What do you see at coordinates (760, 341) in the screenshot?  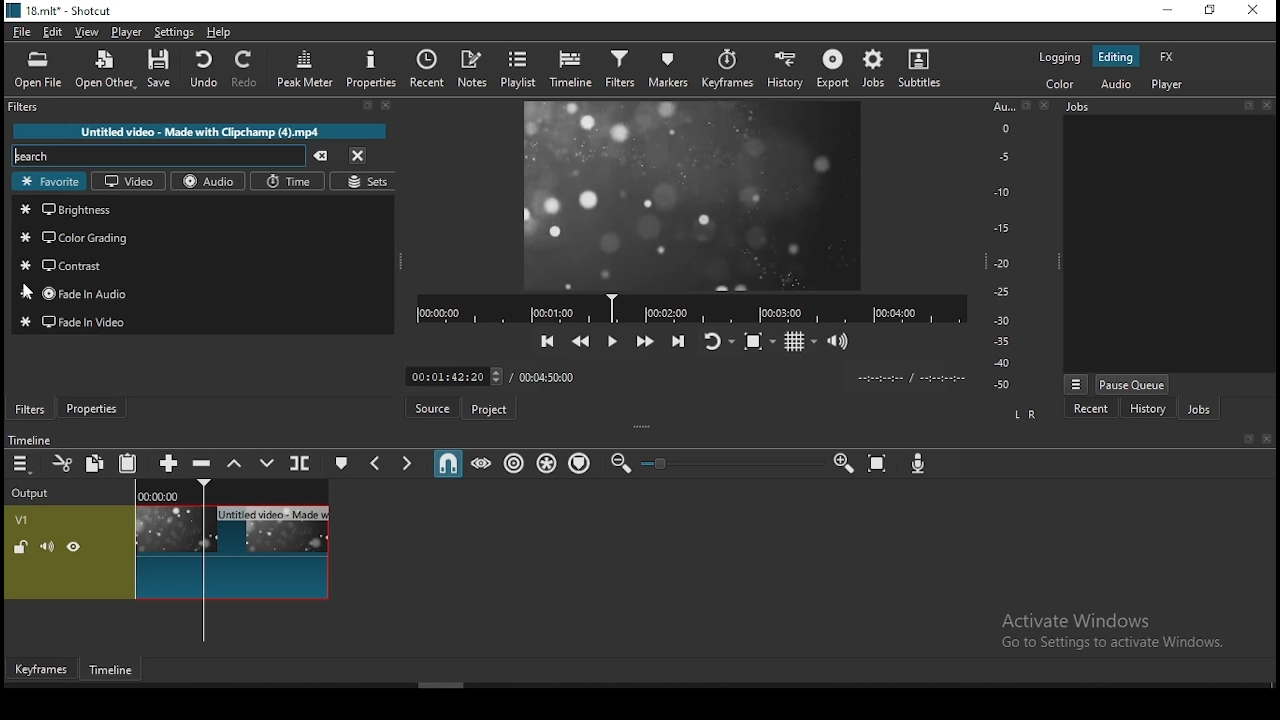 I see `toggle zoom` at bounding box center [760, 341].